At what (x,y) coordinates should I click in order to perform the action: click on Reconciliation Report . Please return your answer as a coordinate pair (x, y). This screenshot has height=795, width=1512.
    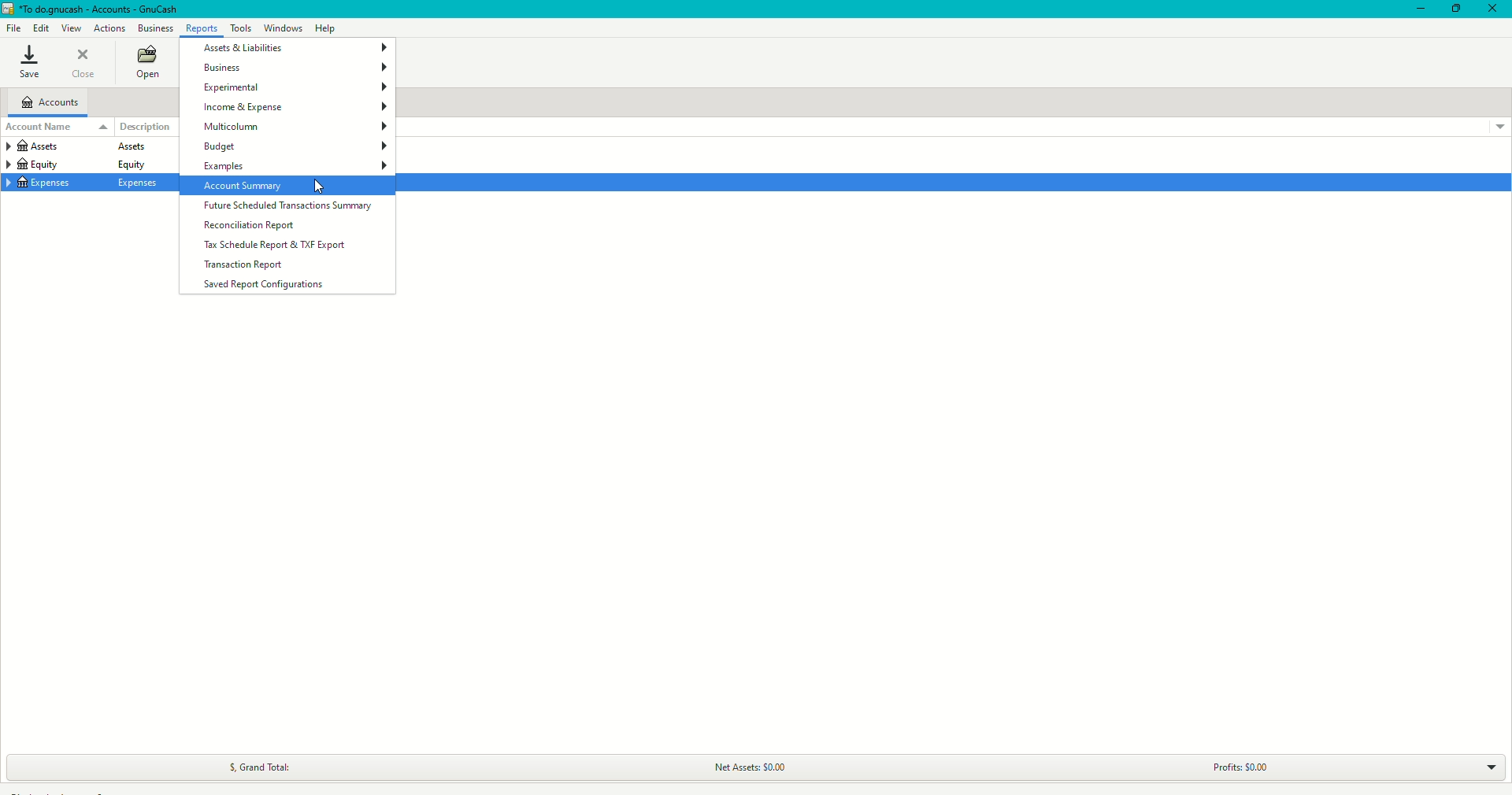
    Looking at the image, I should click on (250, 225).